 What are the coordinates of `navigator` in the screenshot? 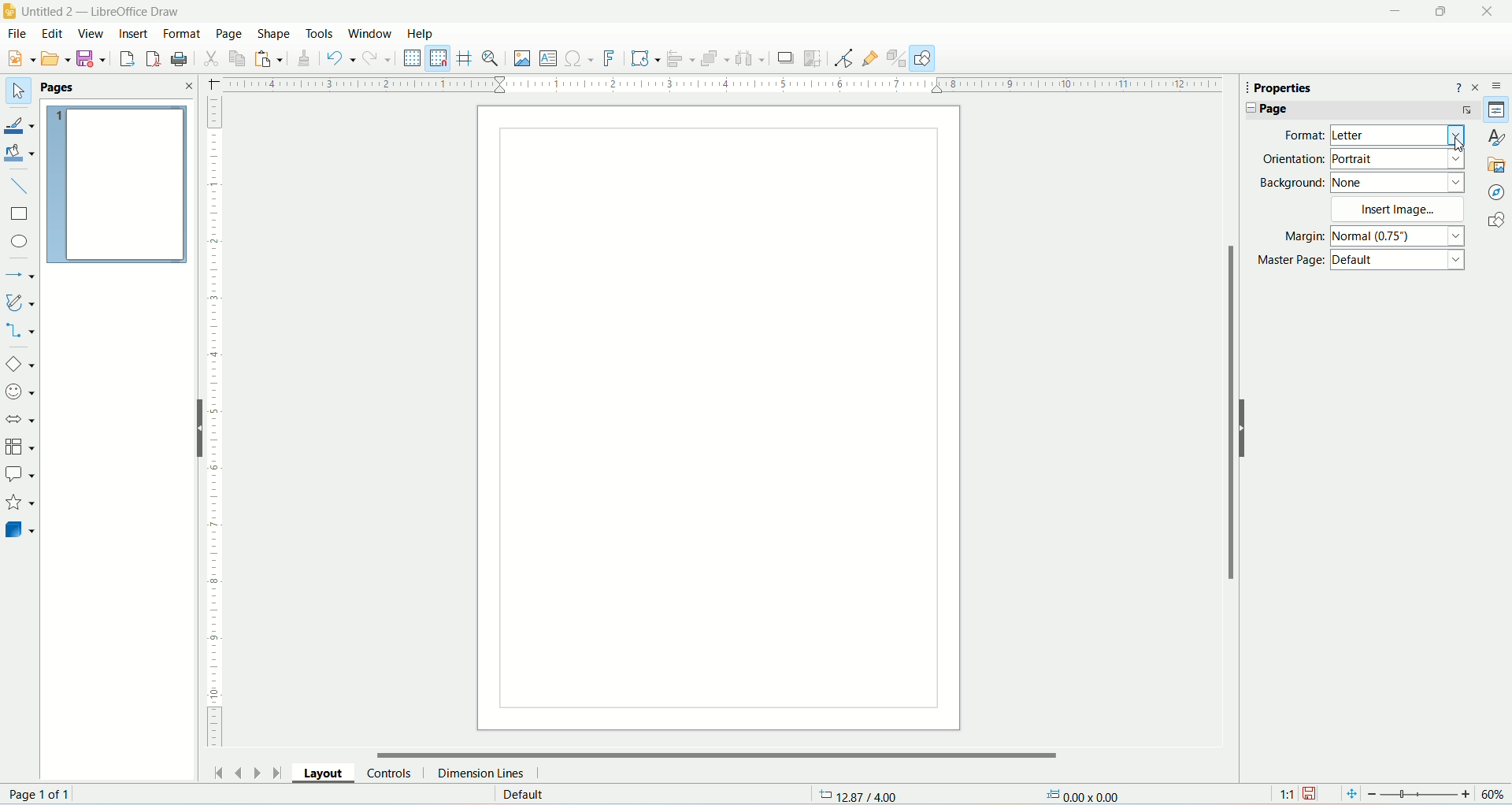 It's located at (1497, 192).